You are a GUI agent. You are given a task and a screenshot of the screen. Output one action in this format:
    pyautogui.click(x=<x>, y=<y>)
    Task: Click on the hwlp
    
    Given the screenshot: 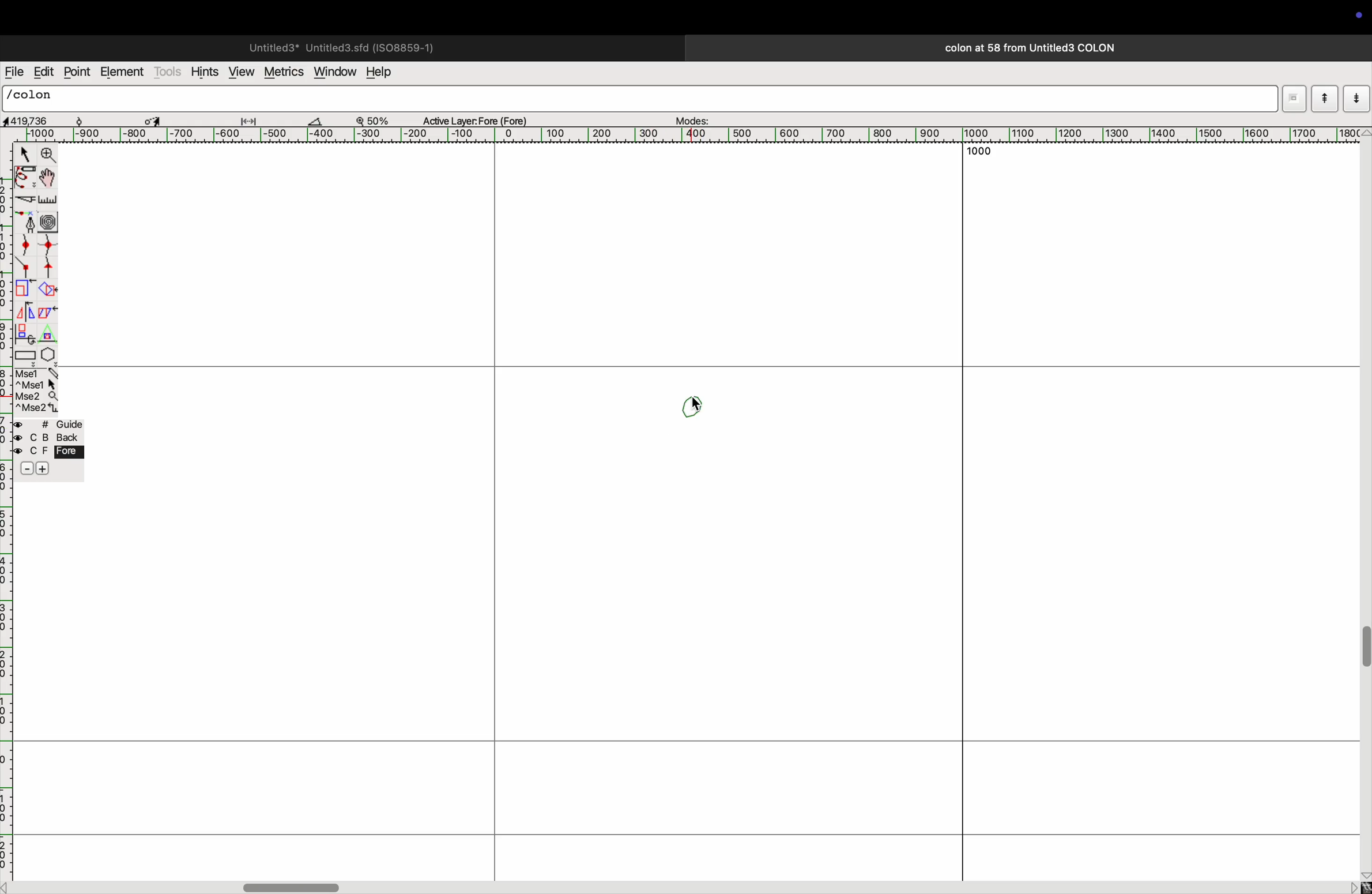 What is the action you would take?
    pyautogui.click(x=386, y=73)
    